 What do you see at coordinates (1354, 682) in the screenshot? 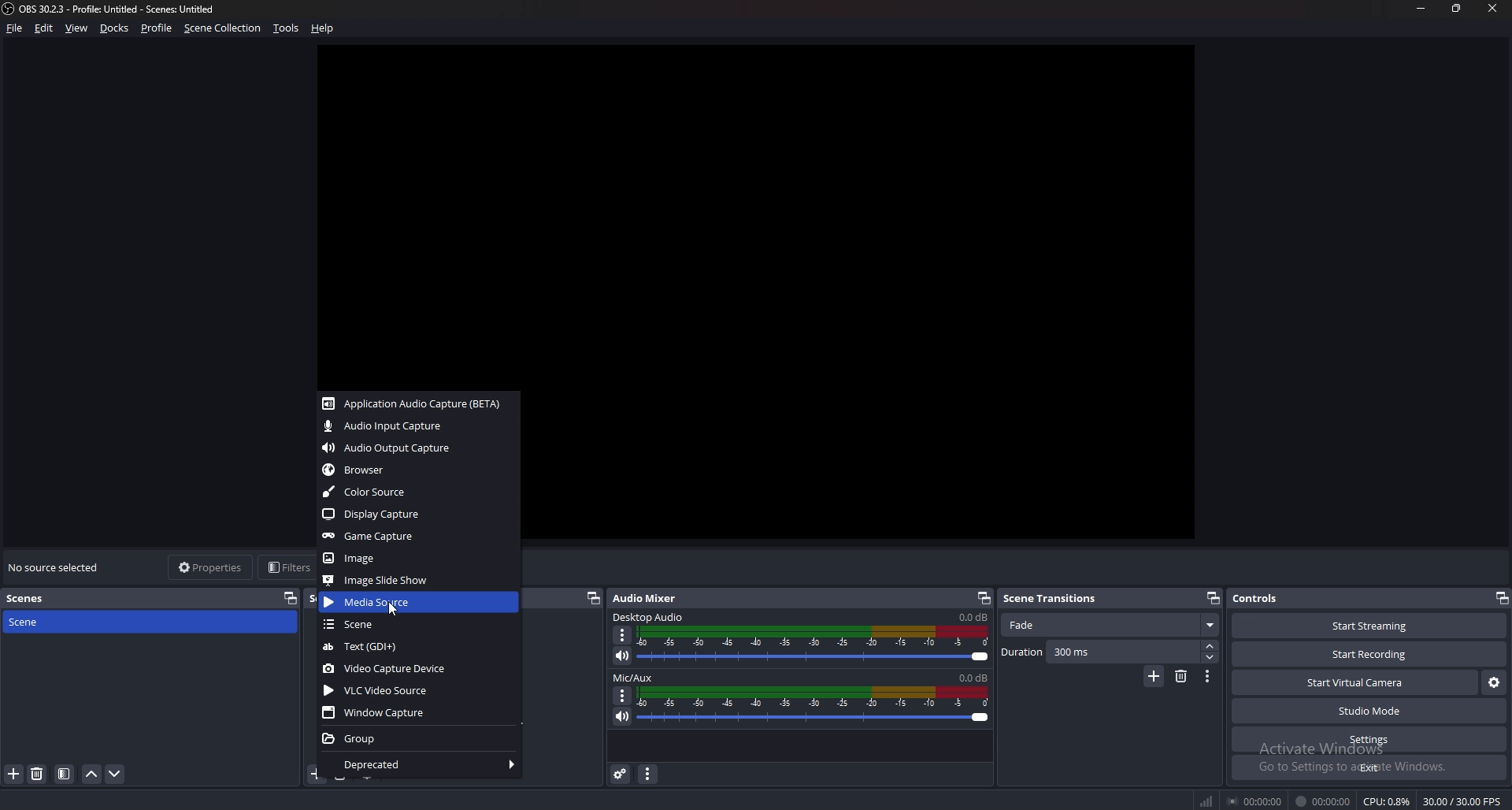
I see `Start virtual camera` at bounding box center [1354, 682].